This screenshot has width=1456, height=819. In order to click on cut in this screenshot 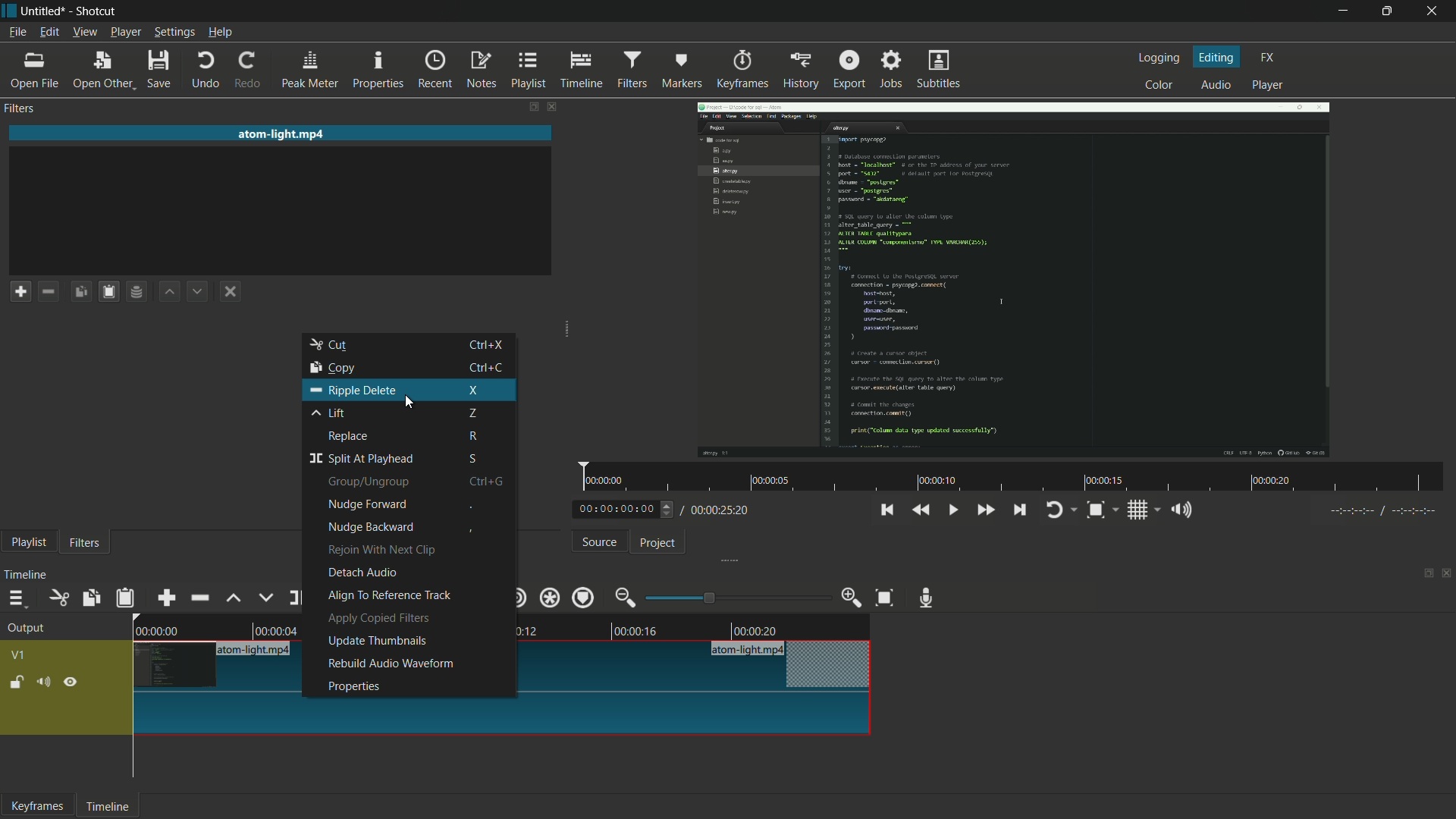, I will do `click(58, 598)`.